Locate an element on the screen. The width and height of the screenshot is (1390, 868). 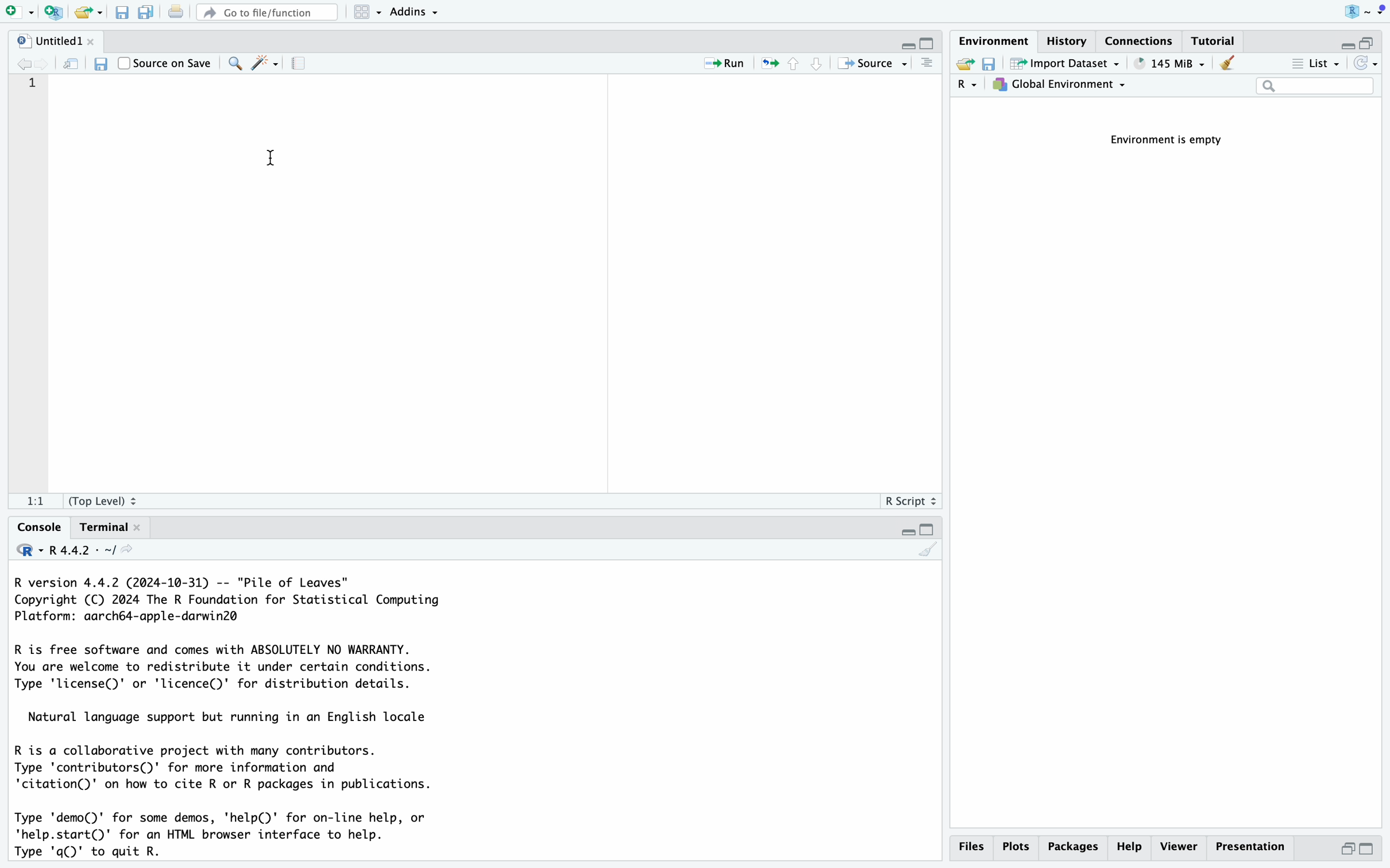
Environment is empty is located at coordinates (1173, 141).